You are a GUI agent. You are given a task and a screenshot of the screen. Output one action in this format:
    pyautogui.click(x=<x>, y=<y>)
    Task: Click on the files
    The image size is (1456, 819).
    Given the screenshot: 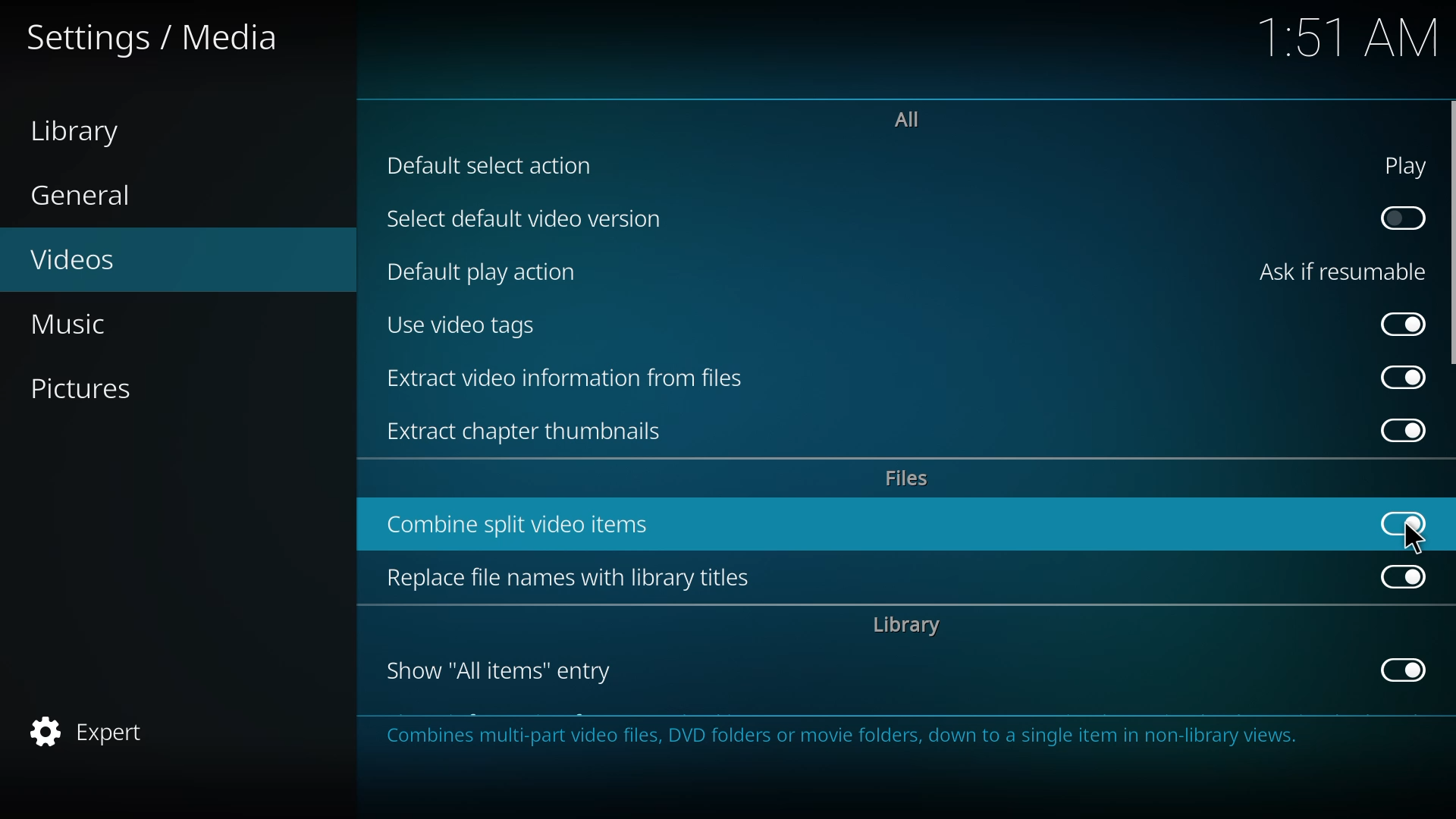 What is the action you would take?
    pyautogui.click(x=908, y=477)
    